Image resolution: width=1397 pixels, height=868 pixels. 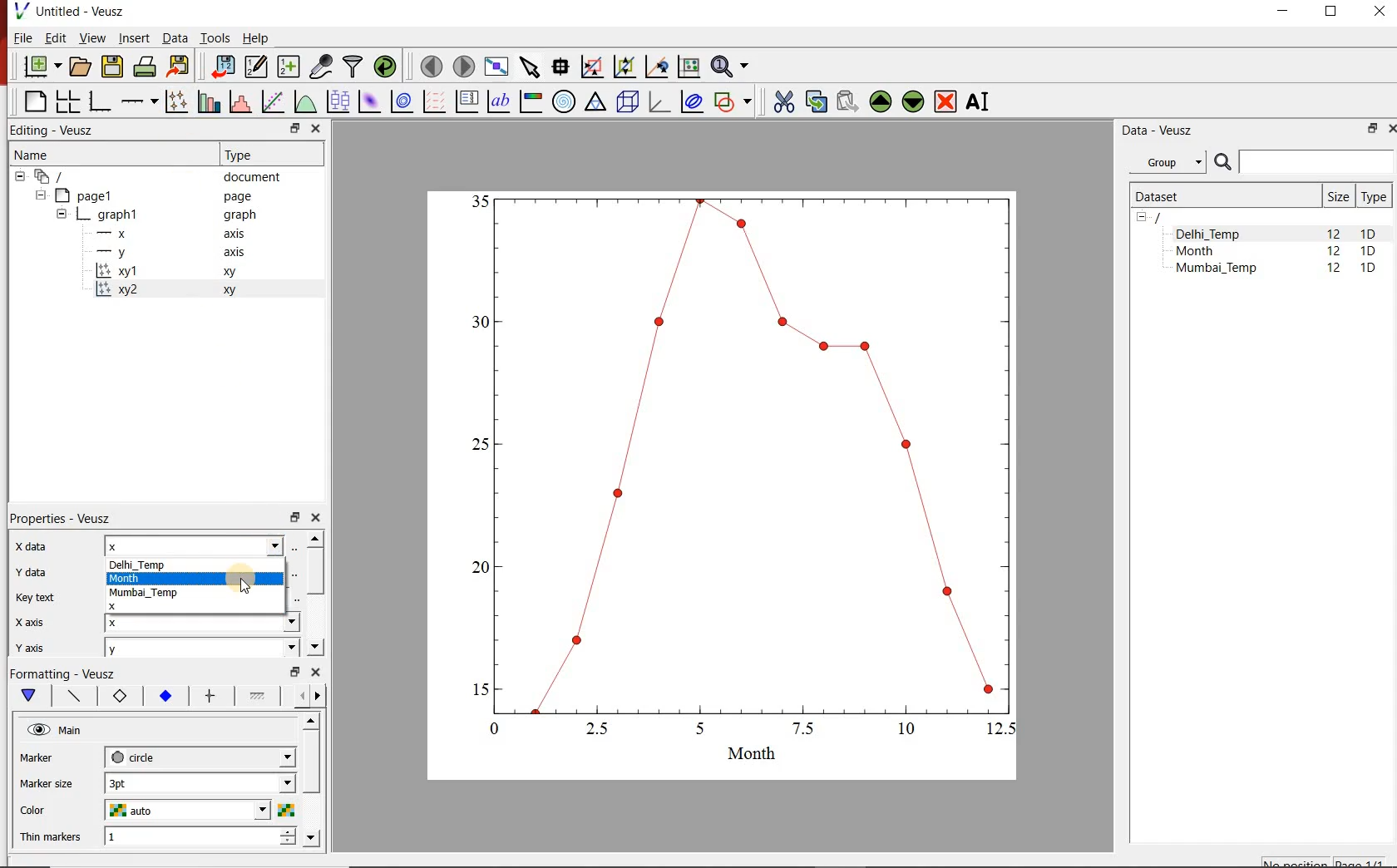 What do you see at coordinates (47, 811) in the screenshot?
I see `color` at bounding box center [47, 811].